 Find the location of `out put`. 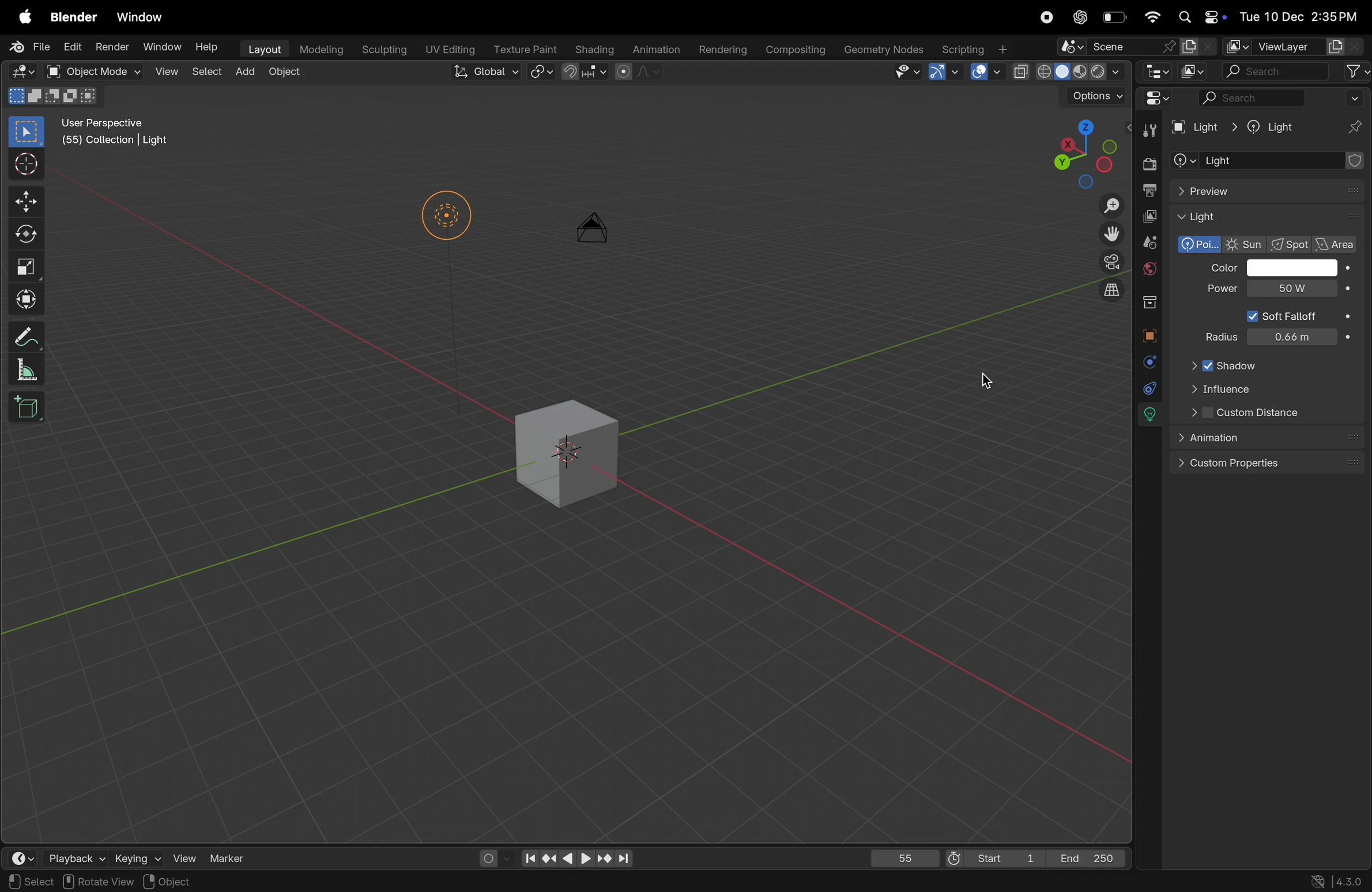

out put is located at coordinates (1149, 189).